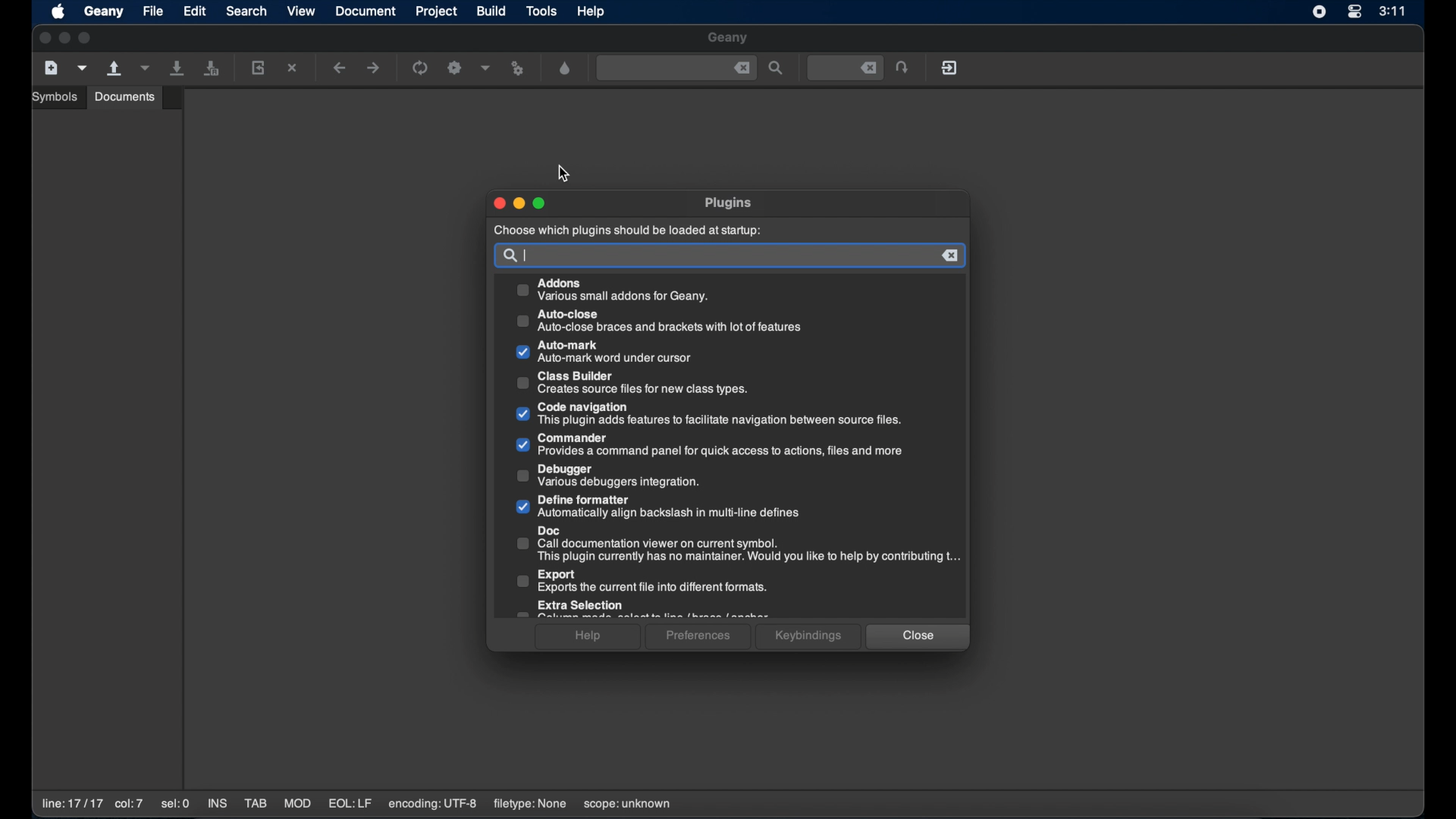 Image resolution: width=1456 pixels, height=819 pixels. What do you see at coordinates (246, 11) in the screenshot?
I see `search` at bounding box center [246, 11].